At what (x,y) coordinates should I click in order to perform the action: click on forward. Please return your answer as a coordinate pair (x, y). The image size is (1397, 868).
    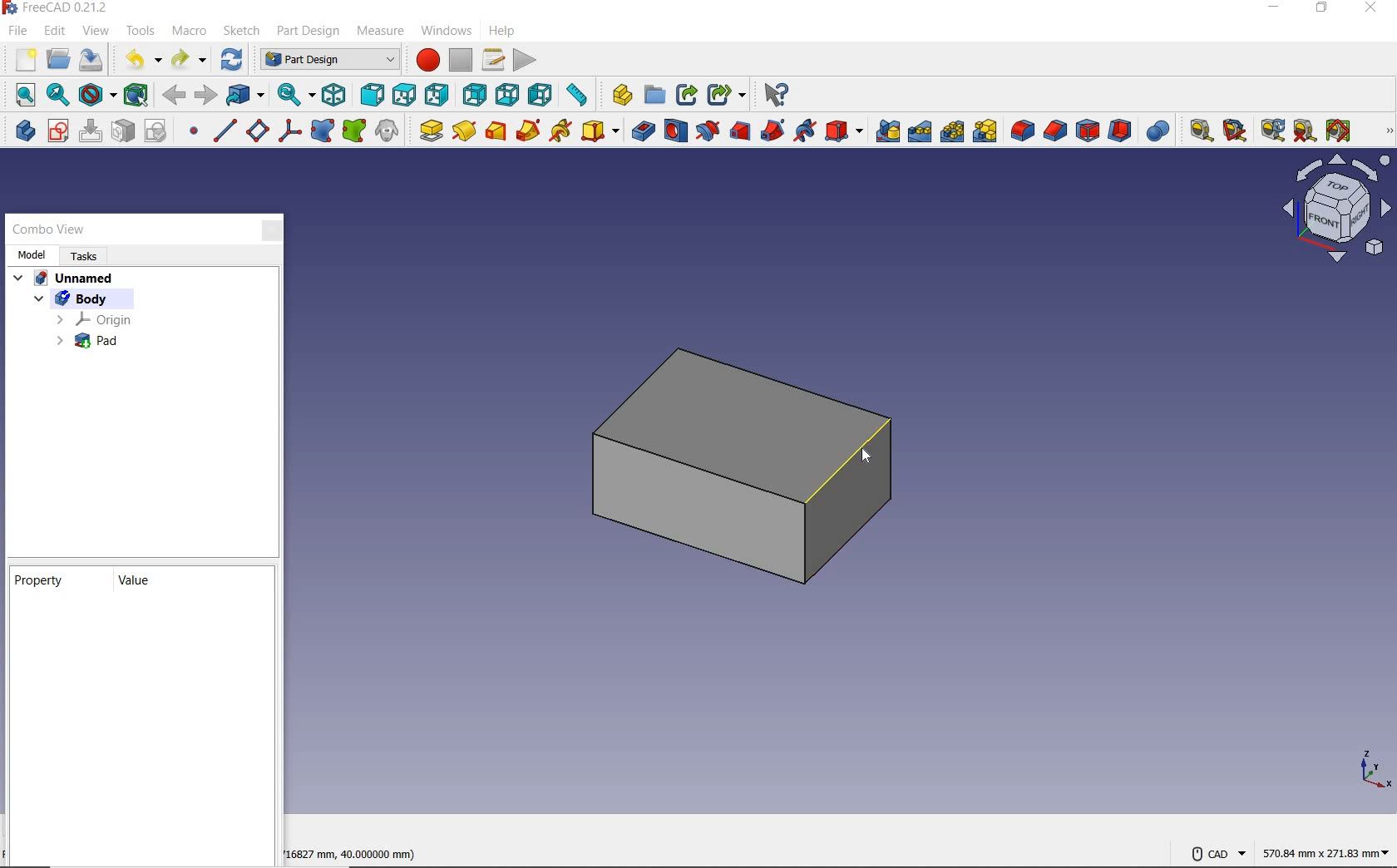
    Looking at the image, I should click on (206, 96).